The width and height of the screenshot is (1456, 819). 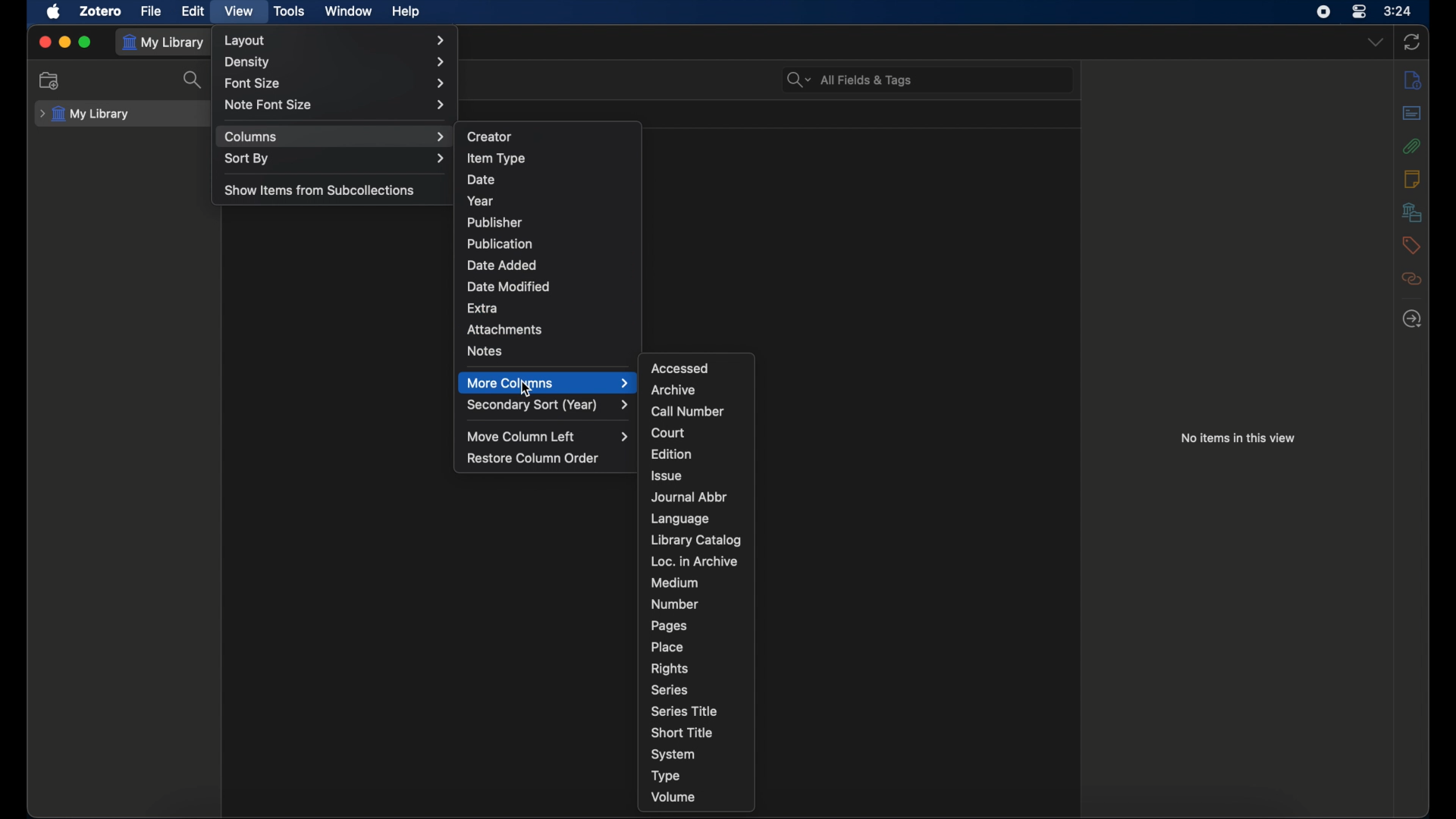 I want to click on date, so click(x=482, y=180).